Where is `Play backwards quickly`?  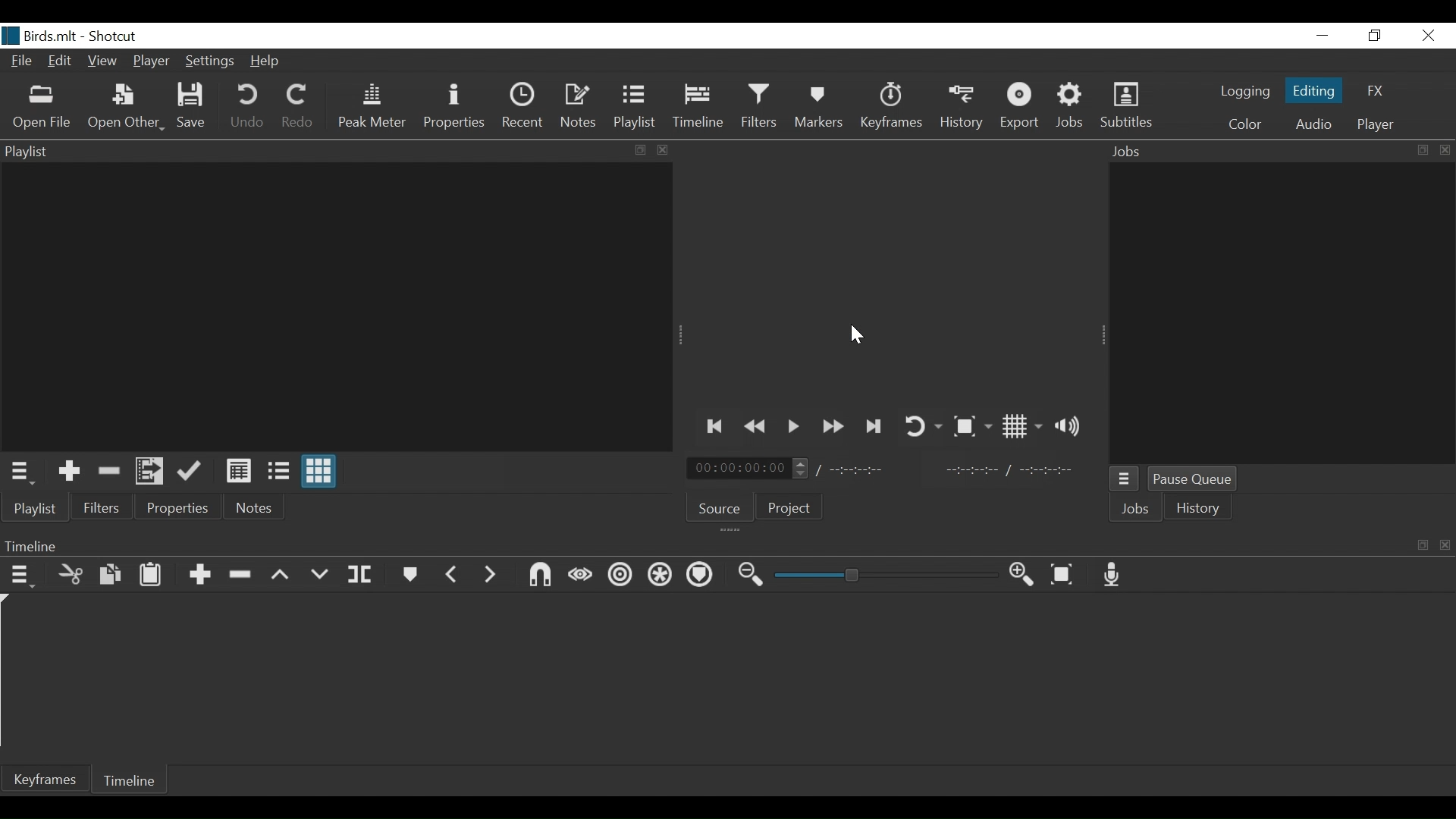
Play backwards quickly is located at coordinates (758, 427).